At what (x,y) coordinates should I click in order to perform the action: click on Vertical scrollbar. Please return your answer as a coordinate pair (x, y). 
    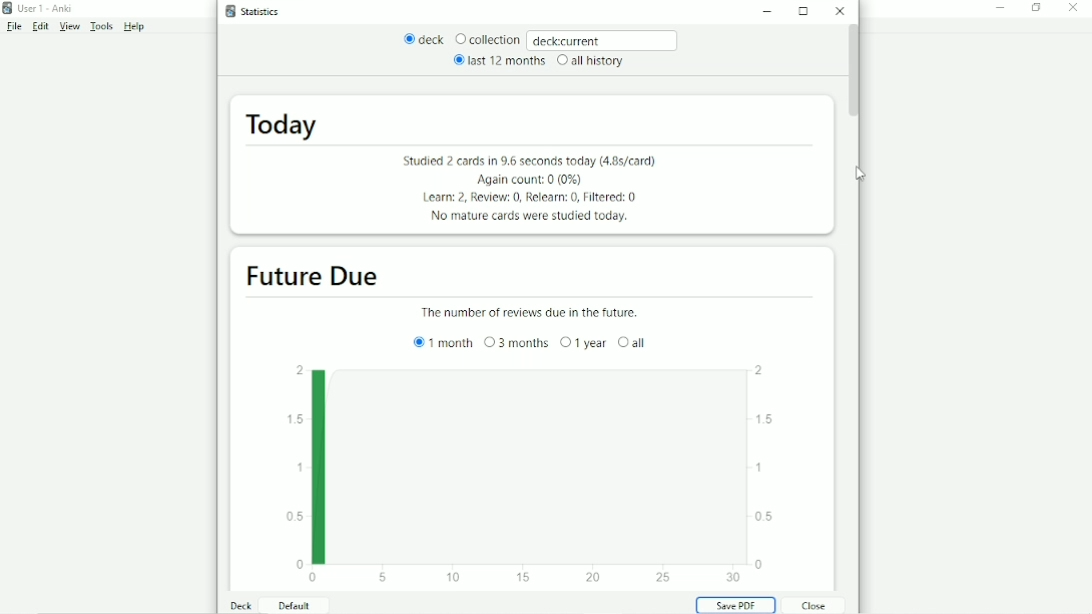
    Looking at the image, I should click on (855, 71).